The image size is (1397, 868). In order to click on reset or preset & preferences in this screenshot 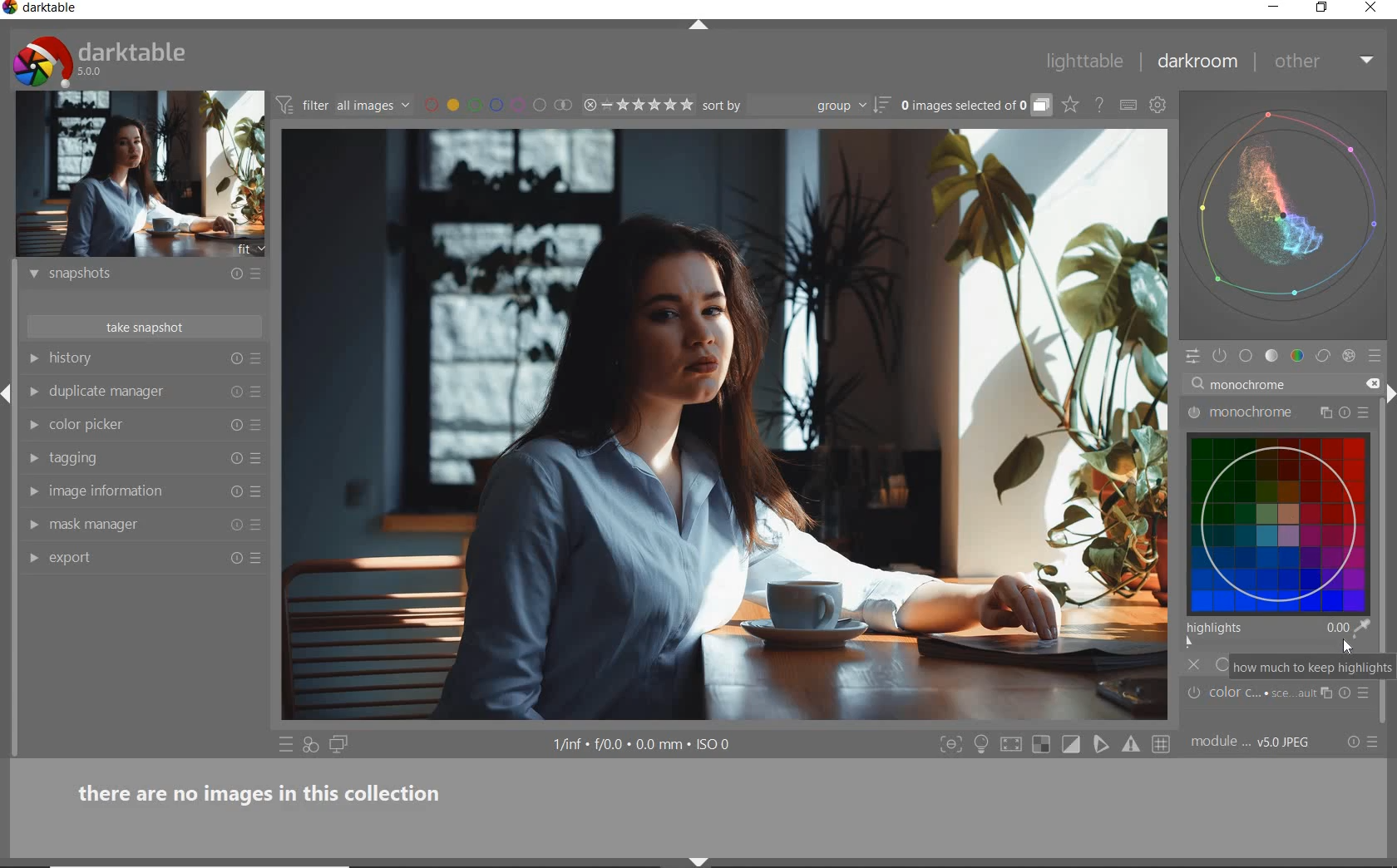, I will do `click(1365, 742)`.